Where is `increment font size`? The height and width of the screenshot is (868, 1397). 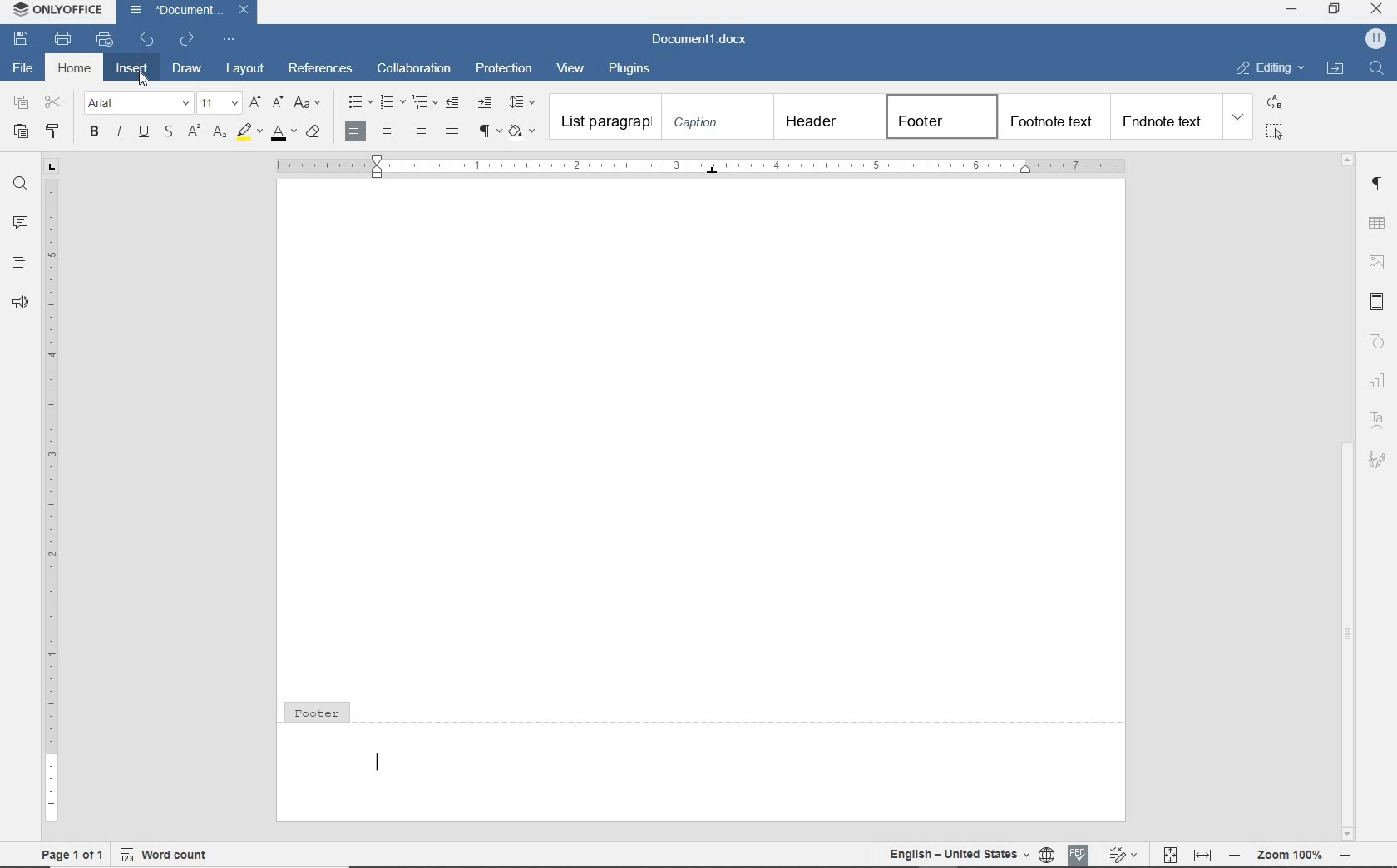 increment font size is located at coordinates (255, 102).